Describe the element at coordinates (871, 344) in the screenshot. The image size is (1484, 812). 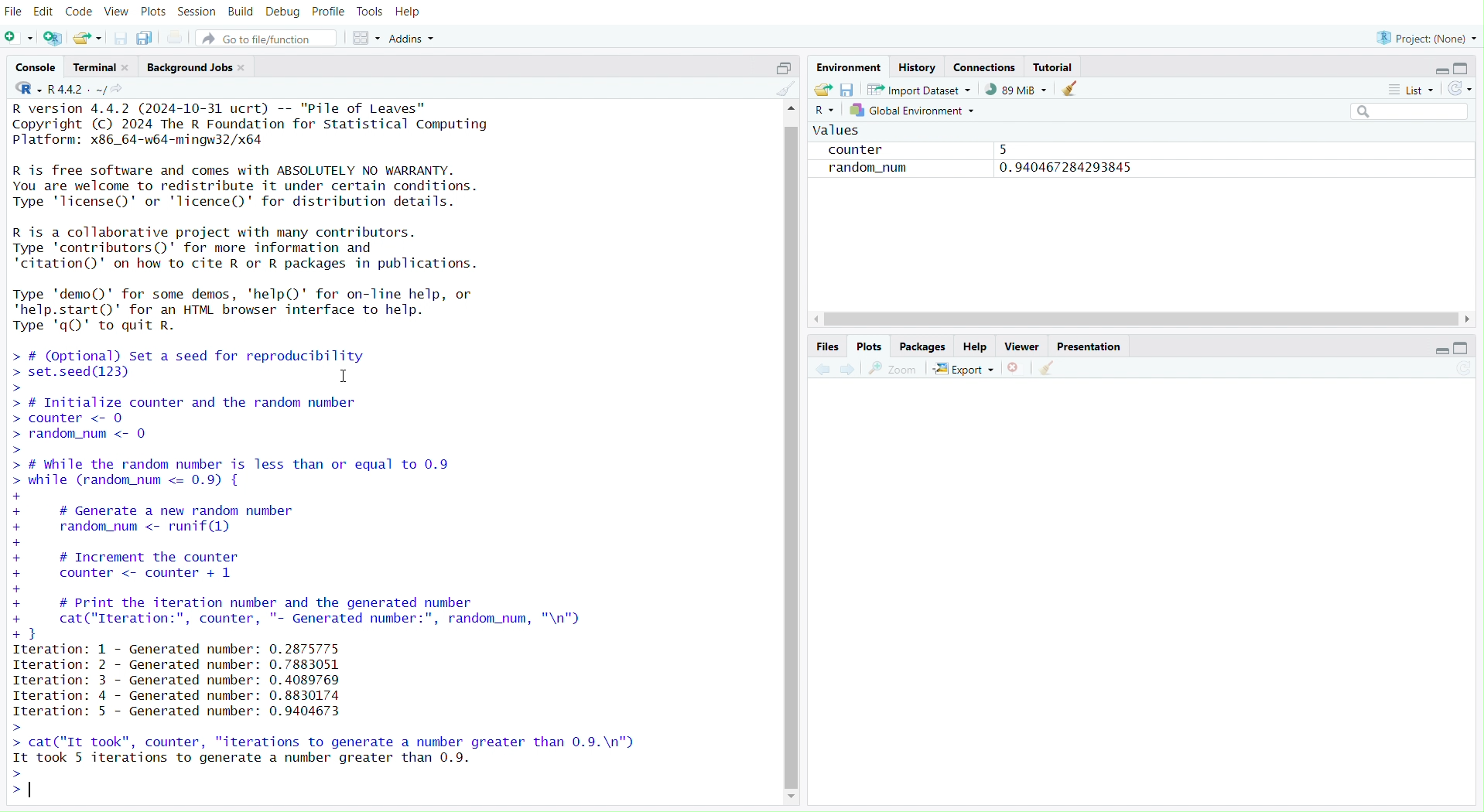
I see `Plots` at that location.